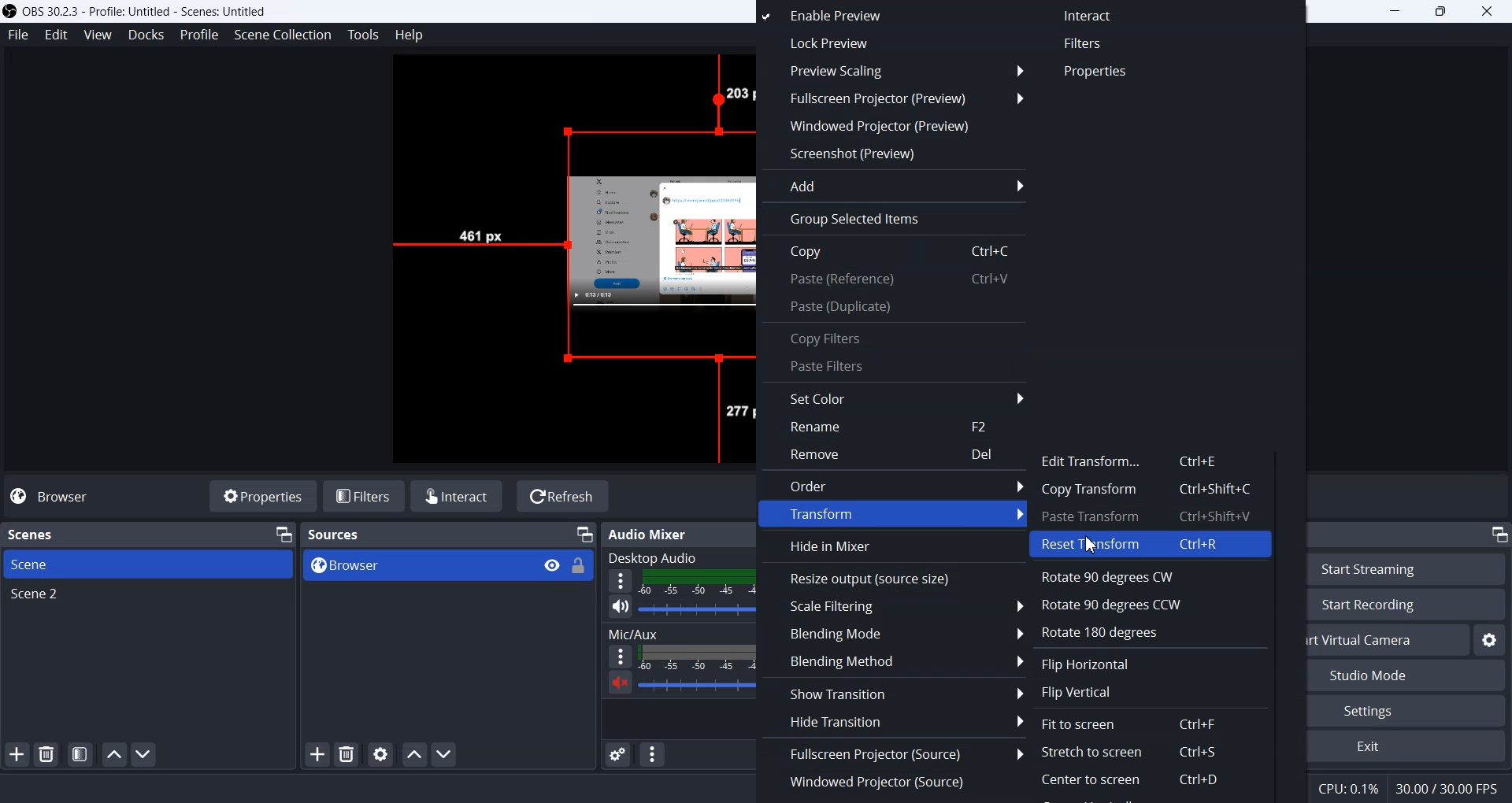 Image resolution: width=1512 pixels, height=803 pixels. I want to click on Copy Transform, so click(1151, 488).